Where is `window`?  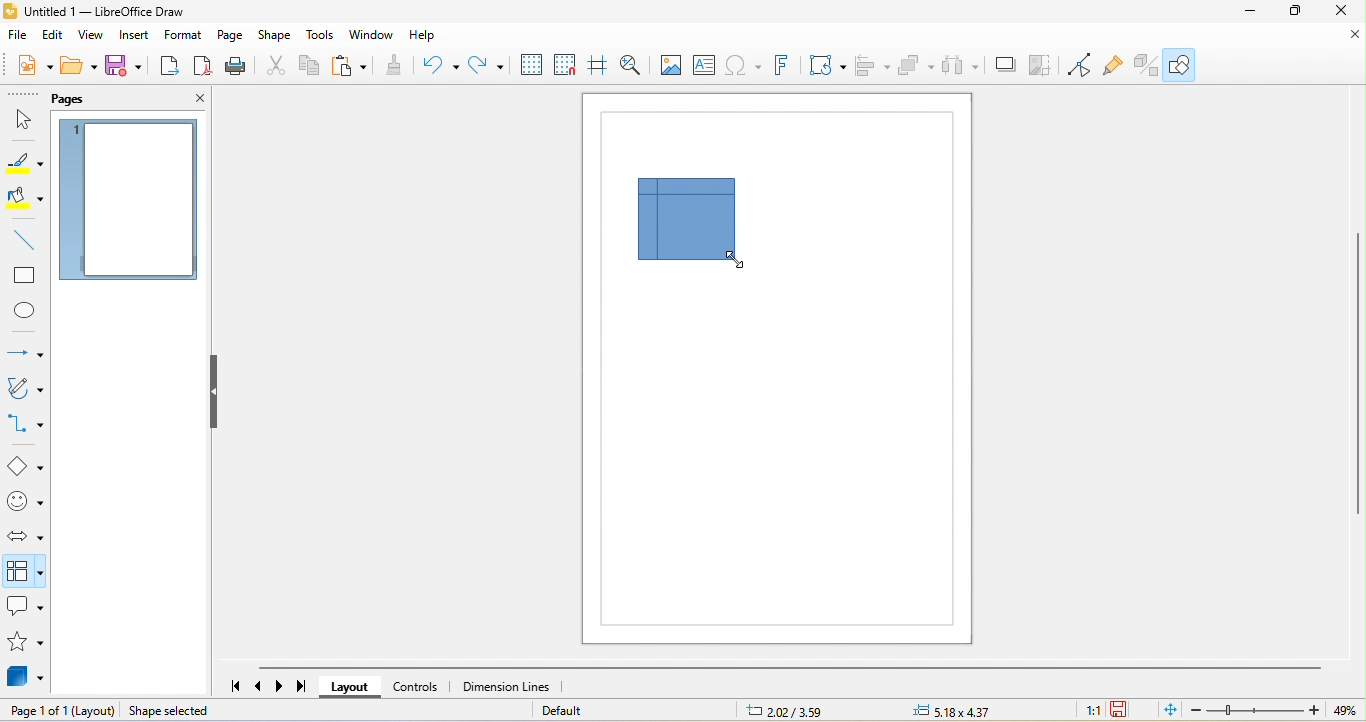
window is located at coordinates (373, 38).